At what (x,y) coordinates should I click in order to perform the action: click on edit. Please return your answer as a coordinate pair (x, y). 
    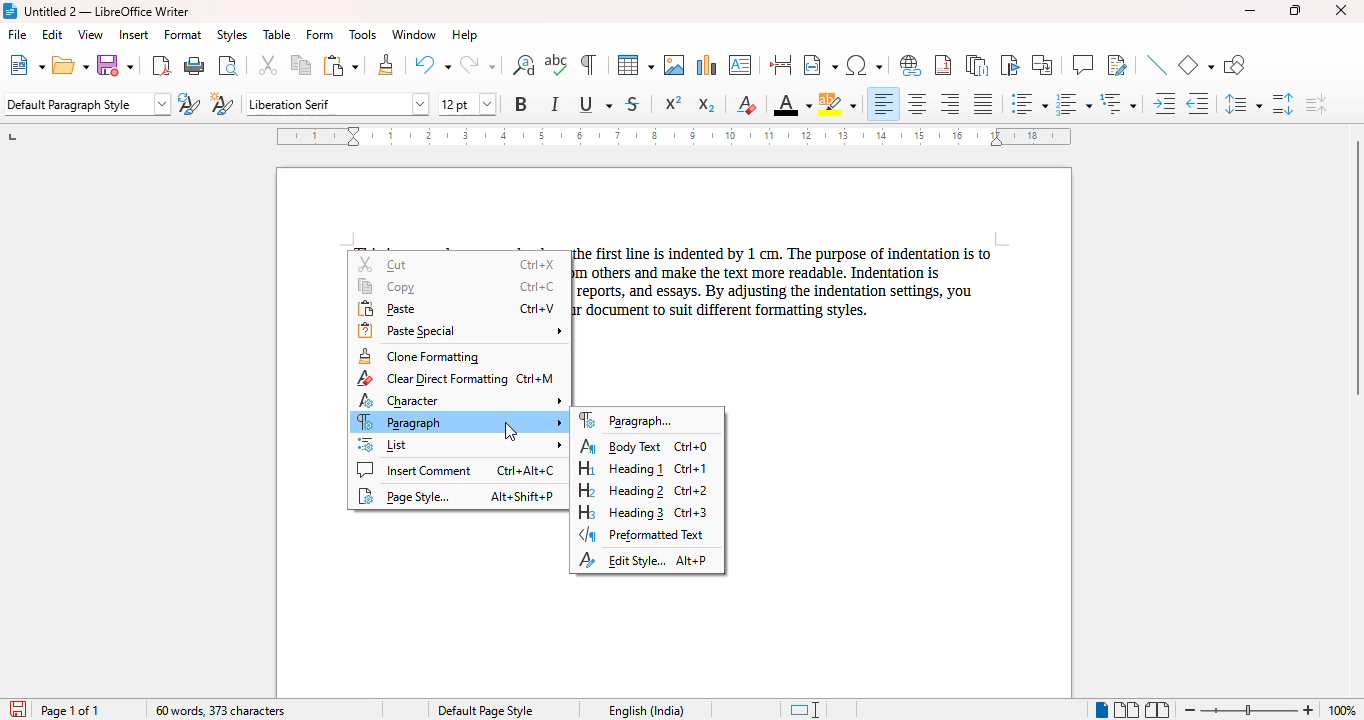
    Looking at the image, I should click on (53, 34).